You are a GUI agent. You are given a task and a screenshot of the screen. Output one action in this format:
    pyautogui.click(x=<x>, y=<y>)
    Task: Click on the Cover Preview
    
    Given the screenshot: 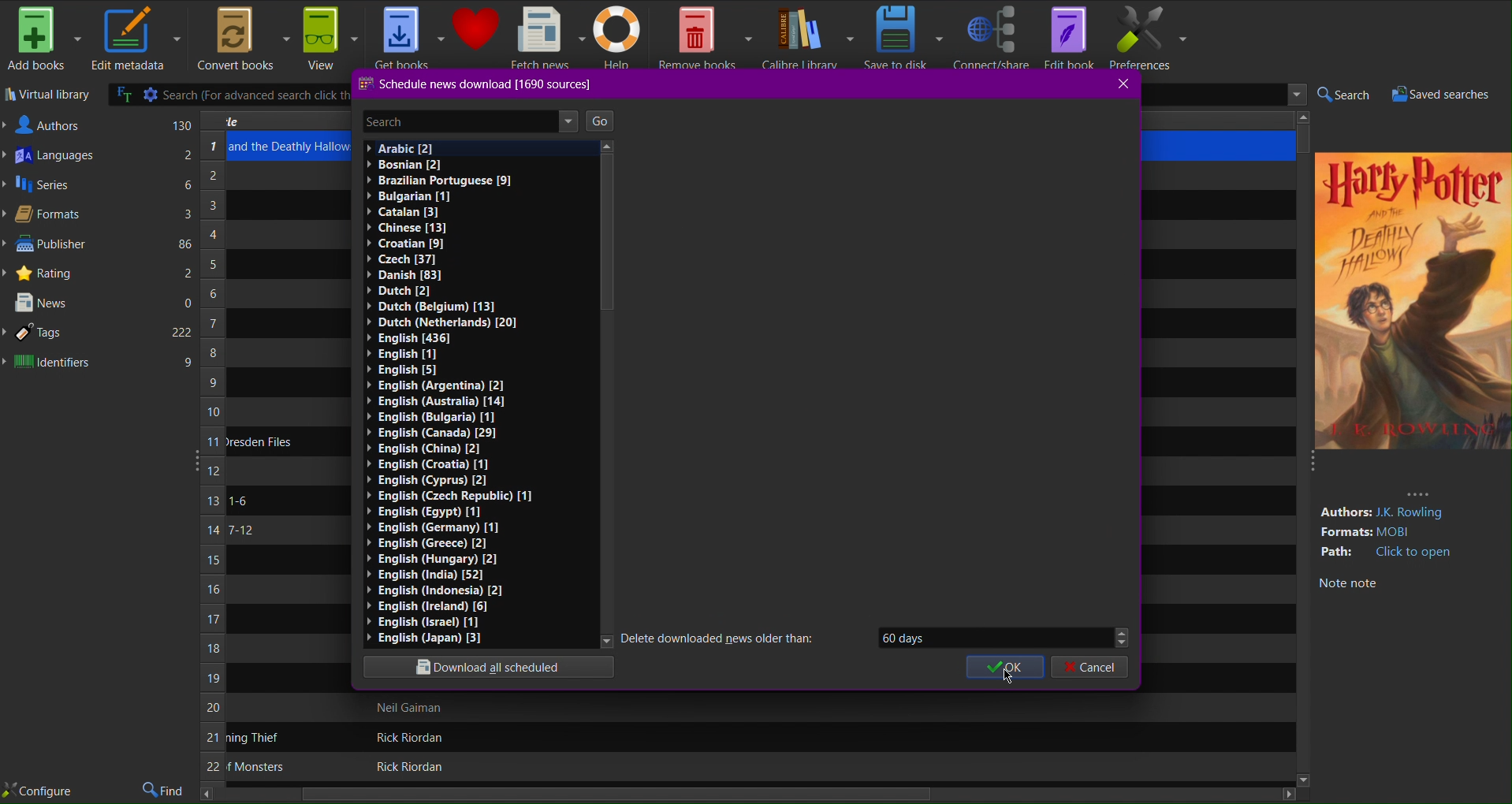 What is the action you would take?
    pyautogui.click(x=1412, y=331)
    